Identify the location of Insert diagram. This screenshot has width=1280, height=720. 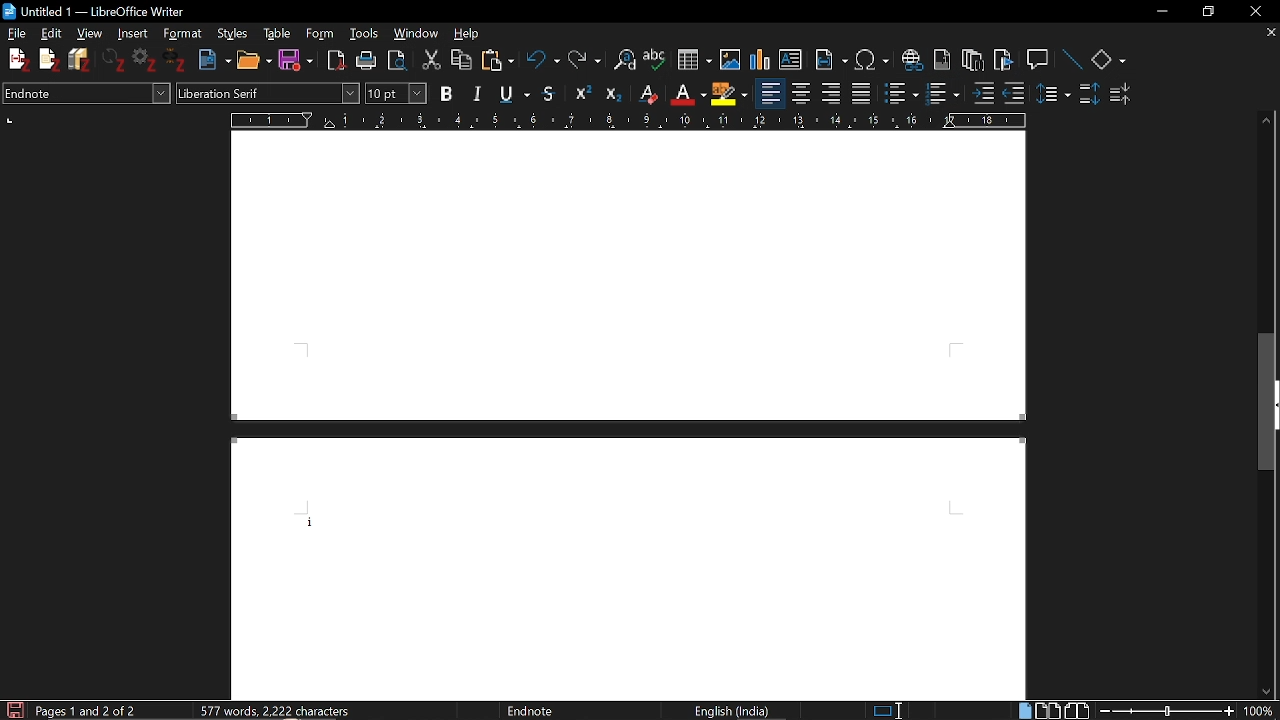
(759, 60).